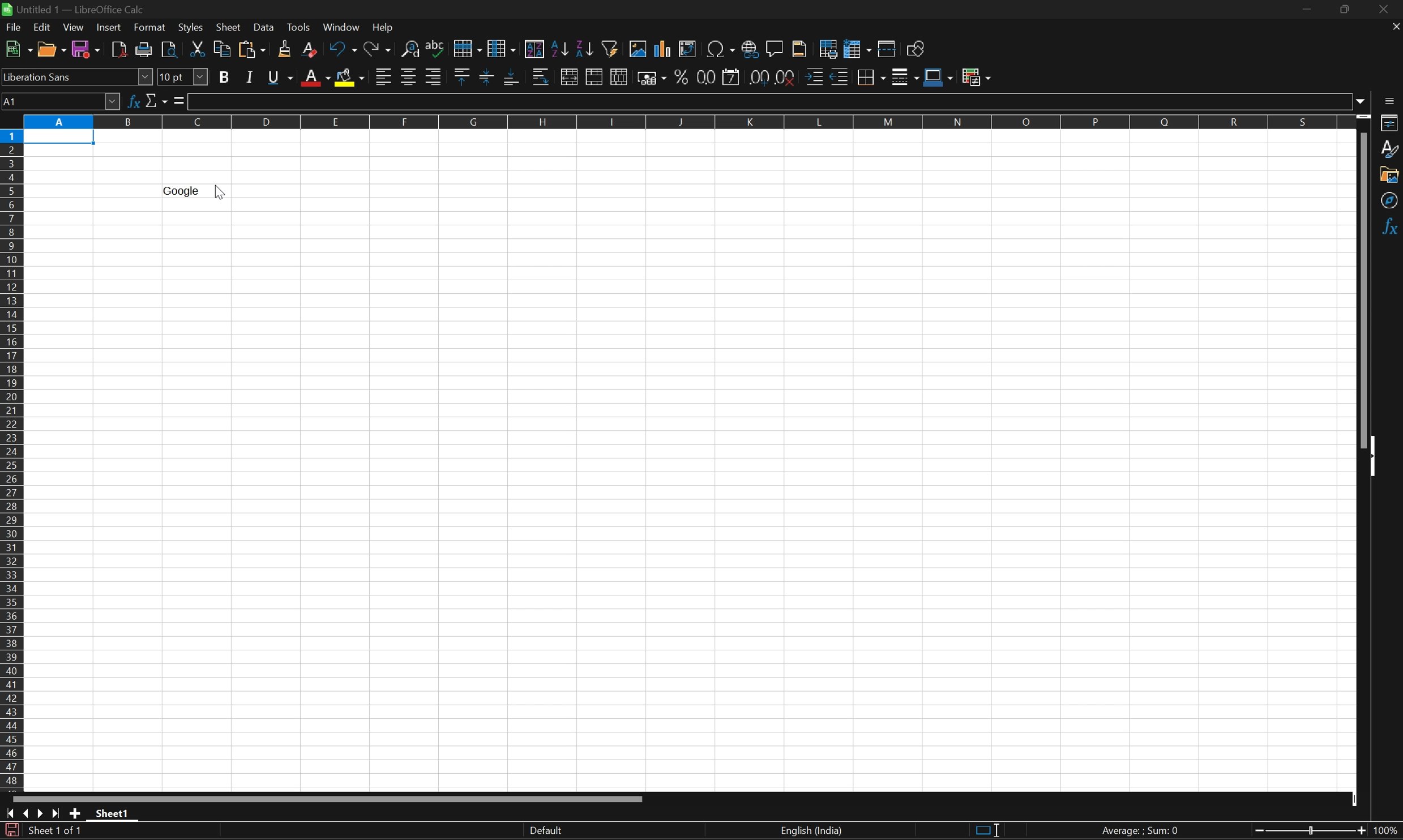 The height and width of the screenshot is (840, 1403). What do you see at coordinates (1387, 831) in the screenshot?
I see `100%` at bounding box center [1387, 831].